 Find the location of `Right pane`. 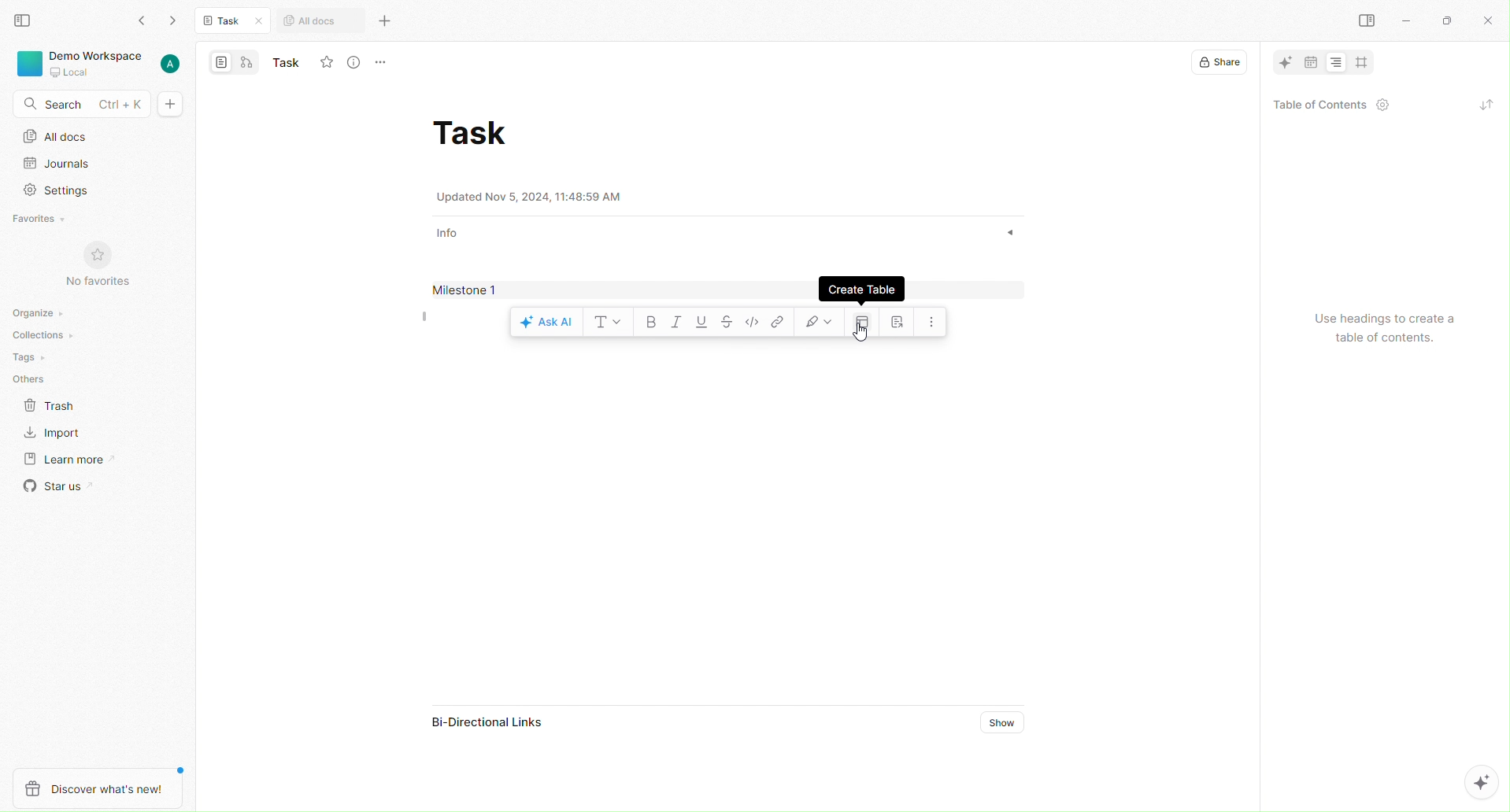

Right pane is located at coordinates (1370, 21).